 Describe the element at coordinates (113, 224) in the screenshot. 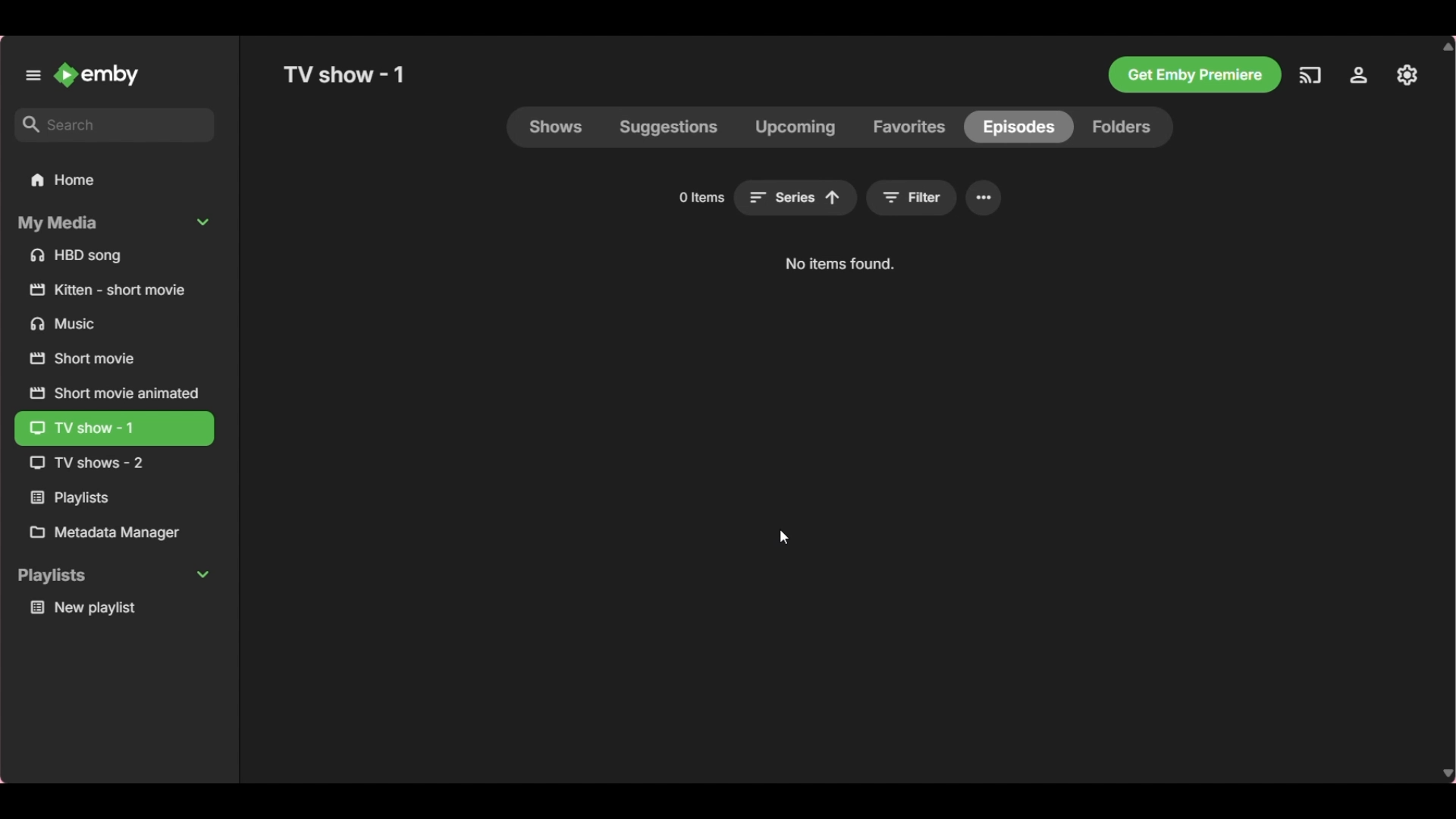

I see `Collapse My media` at that location.